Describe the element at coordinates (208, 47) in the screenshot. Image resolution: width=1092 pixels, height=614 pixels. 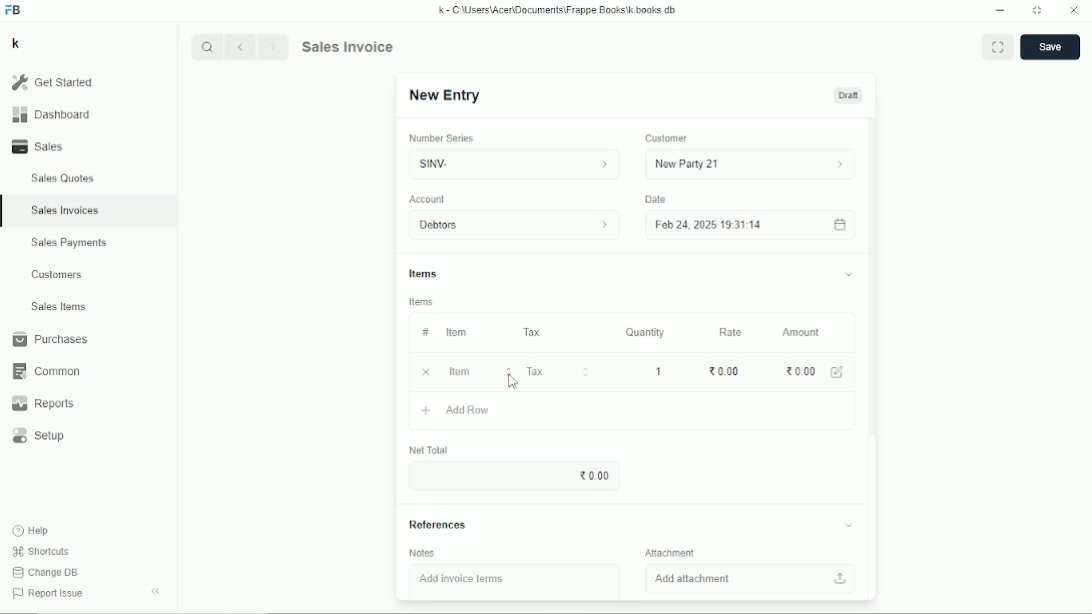
I see `Search` at that location.